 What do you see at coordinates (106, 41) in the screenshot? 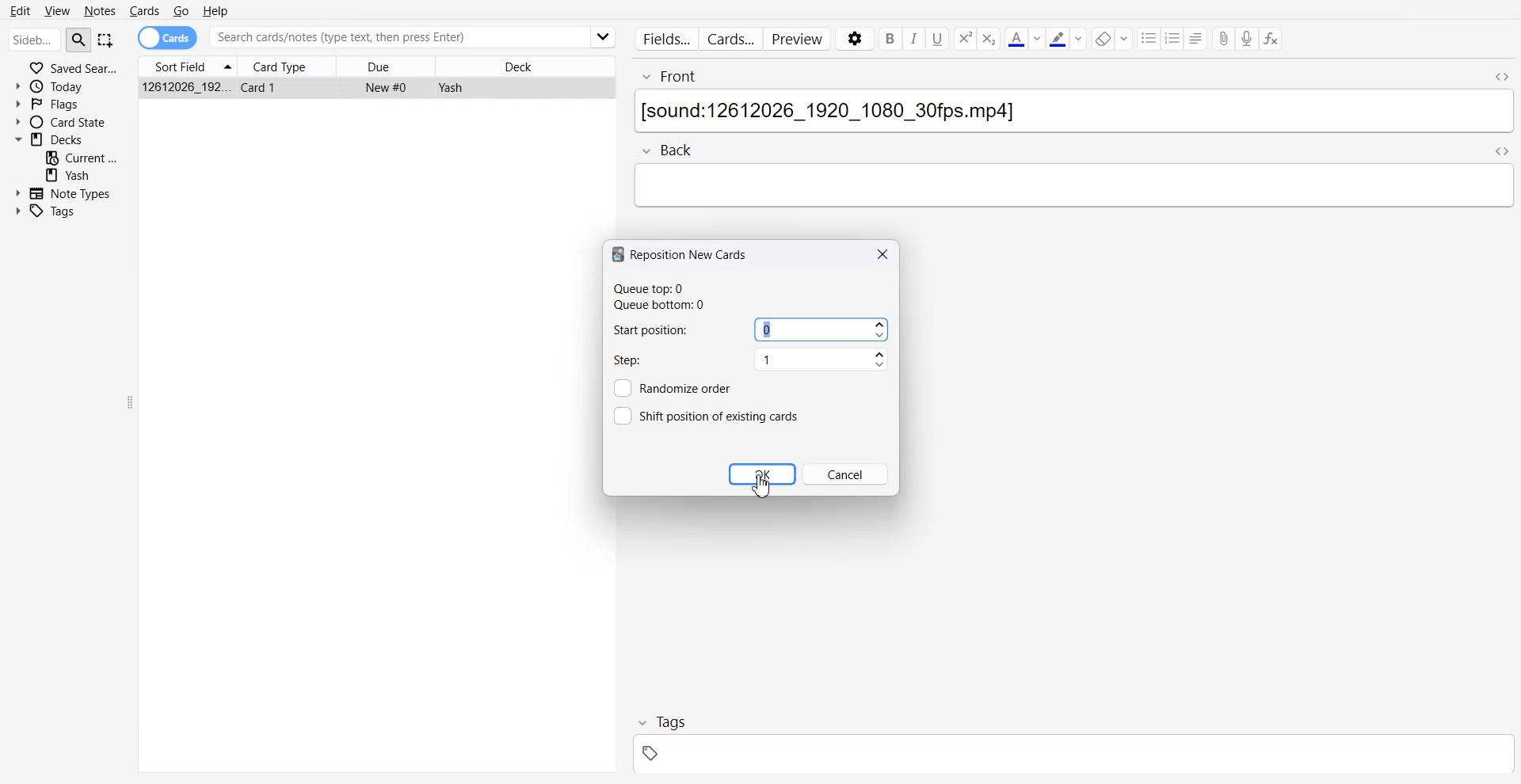
I see `Select` at bounding box center [106, 41].